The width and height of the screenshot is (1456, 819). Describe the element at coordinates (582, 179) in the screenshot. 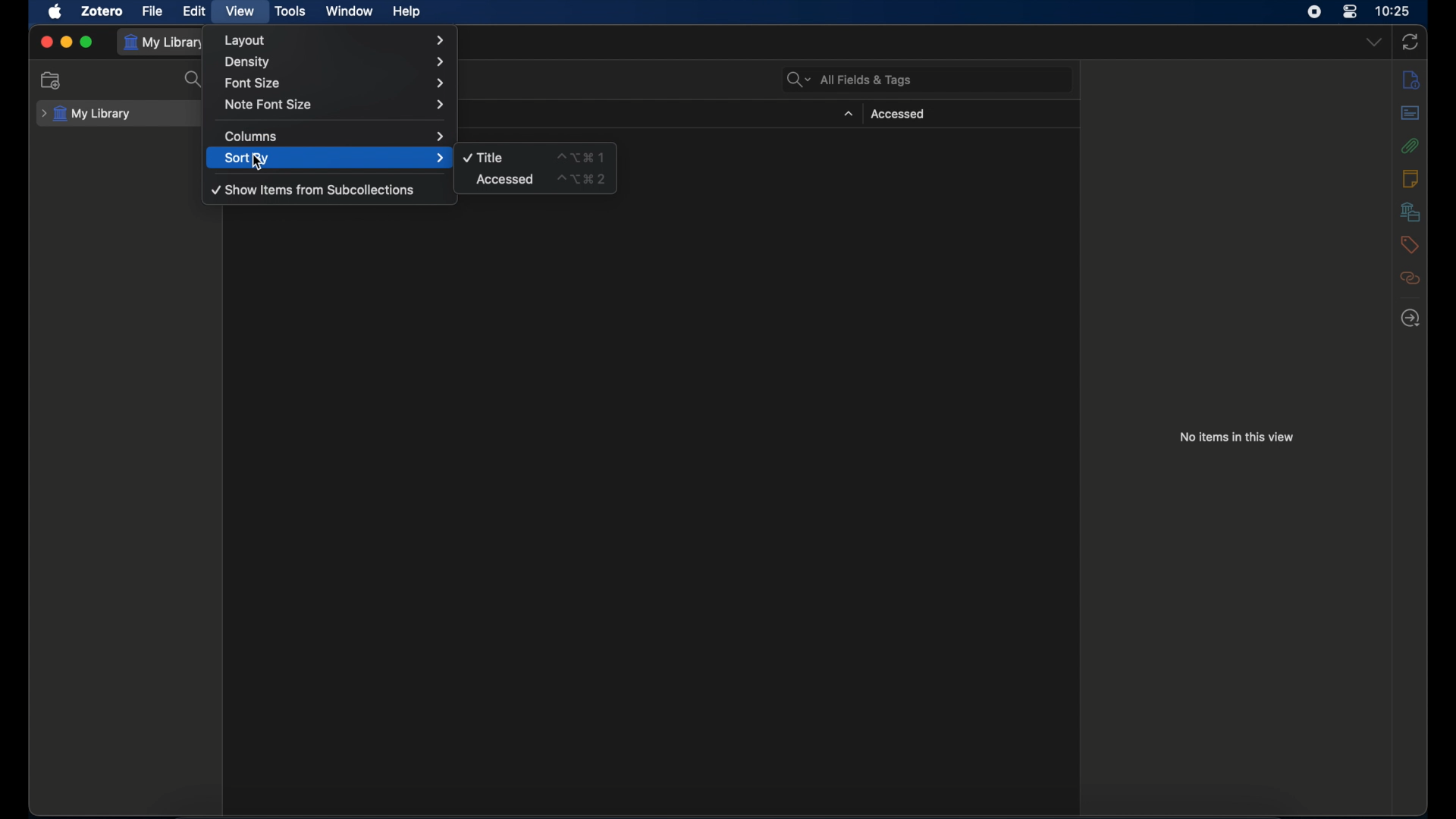

I see `accessed shortcut` at that location.